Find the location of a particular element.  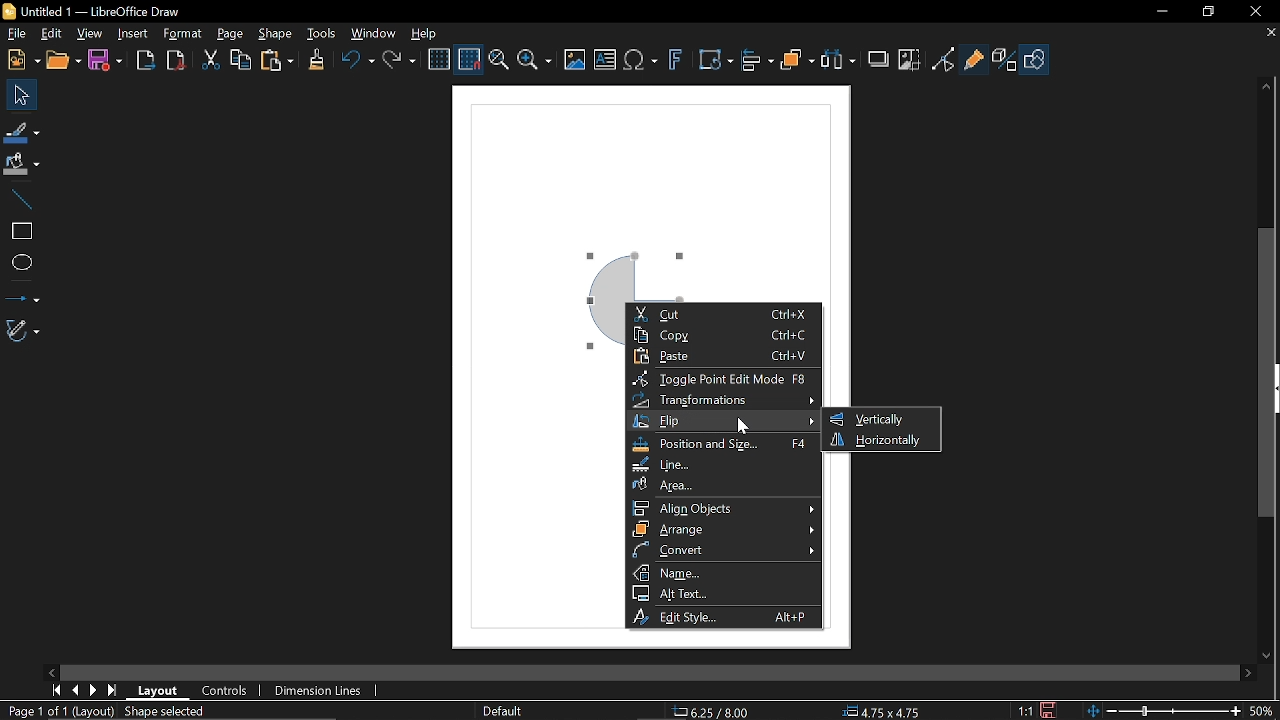

Next page is located at coordinates (93, 689).